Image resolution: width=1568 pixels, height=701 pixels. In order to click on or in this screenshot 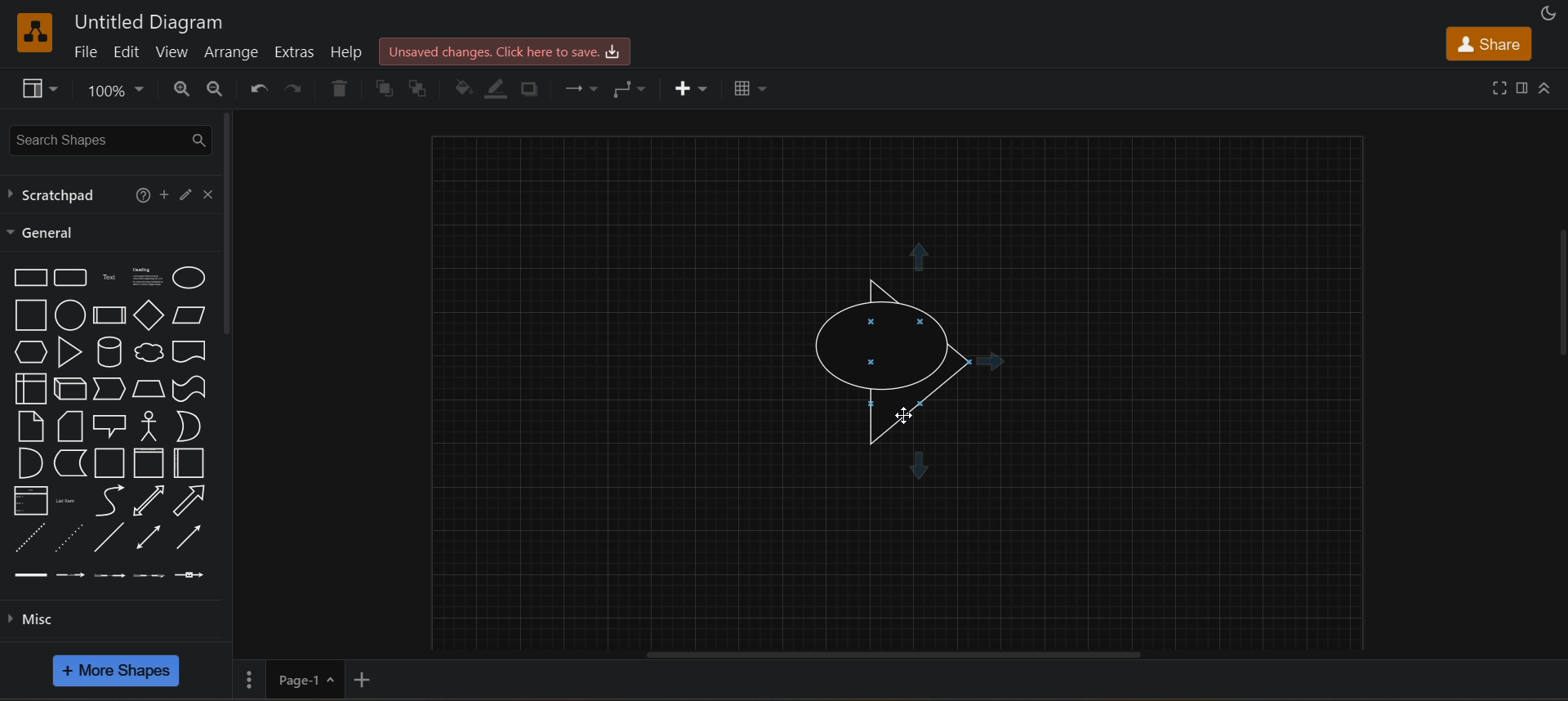, I will do `click(189, 426)`.